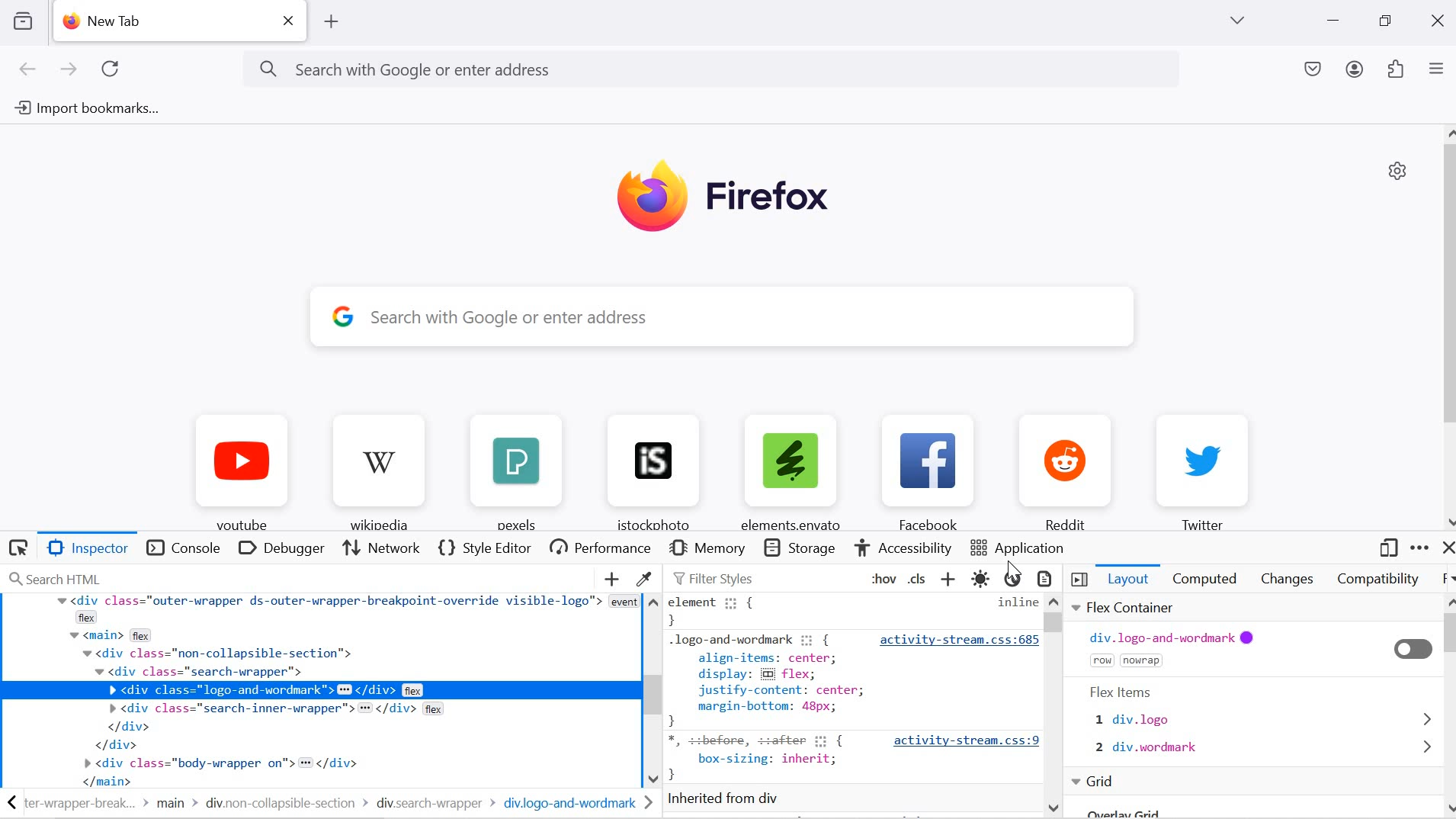 The height and width of the screenshot is (819, 1456). What do you see at coordinates (86, 104) in the screenshot?
I see `Import bookmarks` at bounding box center [86, 104].